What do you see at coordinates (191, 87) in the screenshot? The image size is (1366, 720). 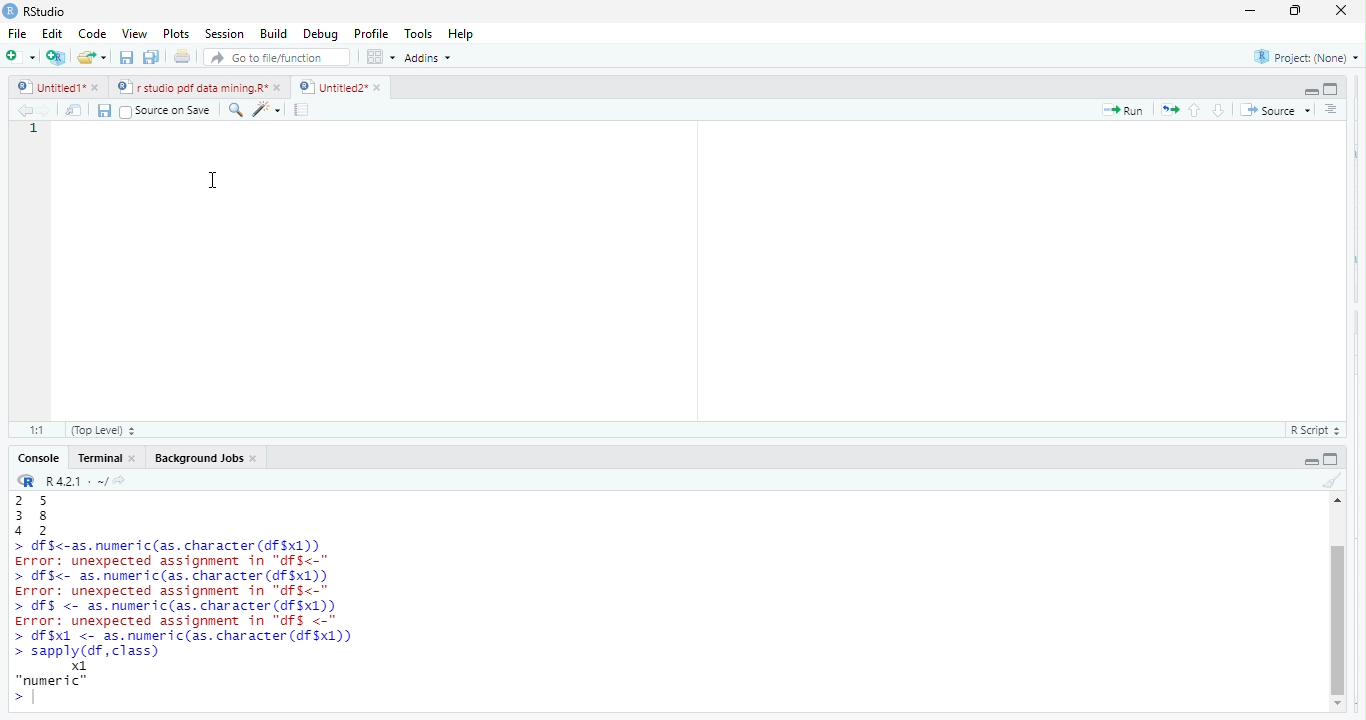 I see `rstudio pdf data mining.R’` at bounding box center [191, 87].